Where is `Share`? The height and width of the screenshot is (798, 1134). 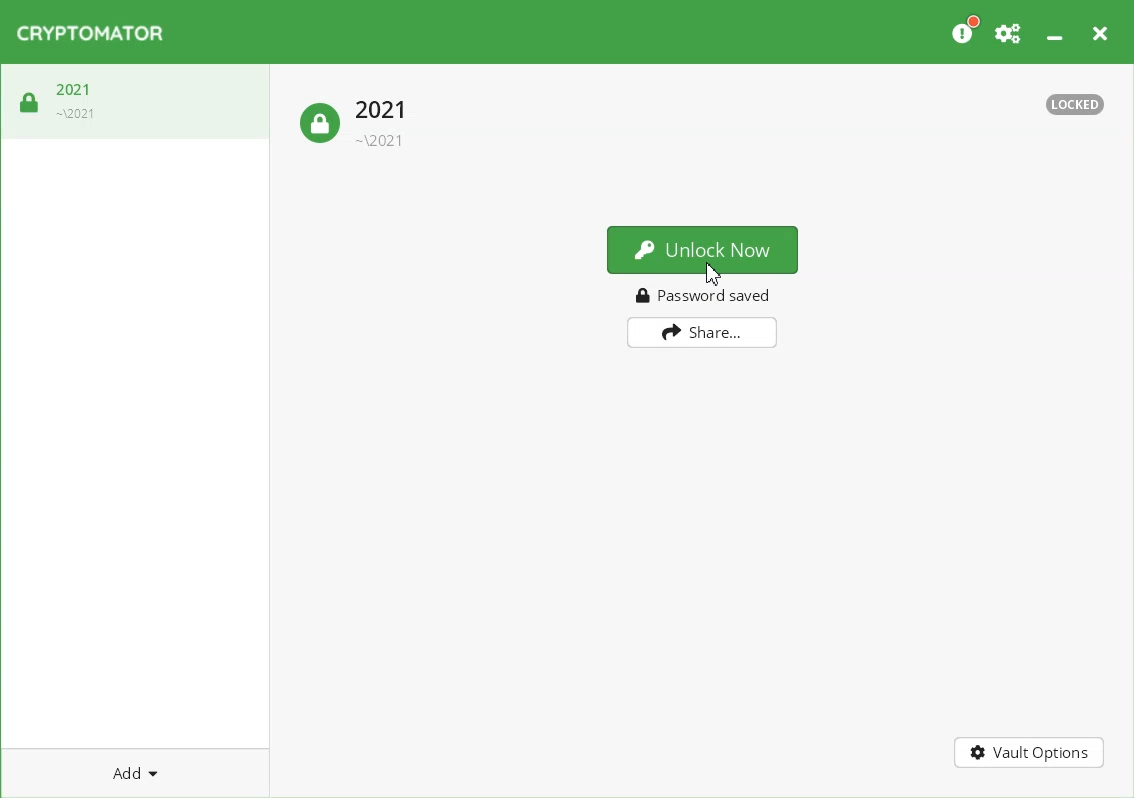 Share is located at coordinates (704, 333).